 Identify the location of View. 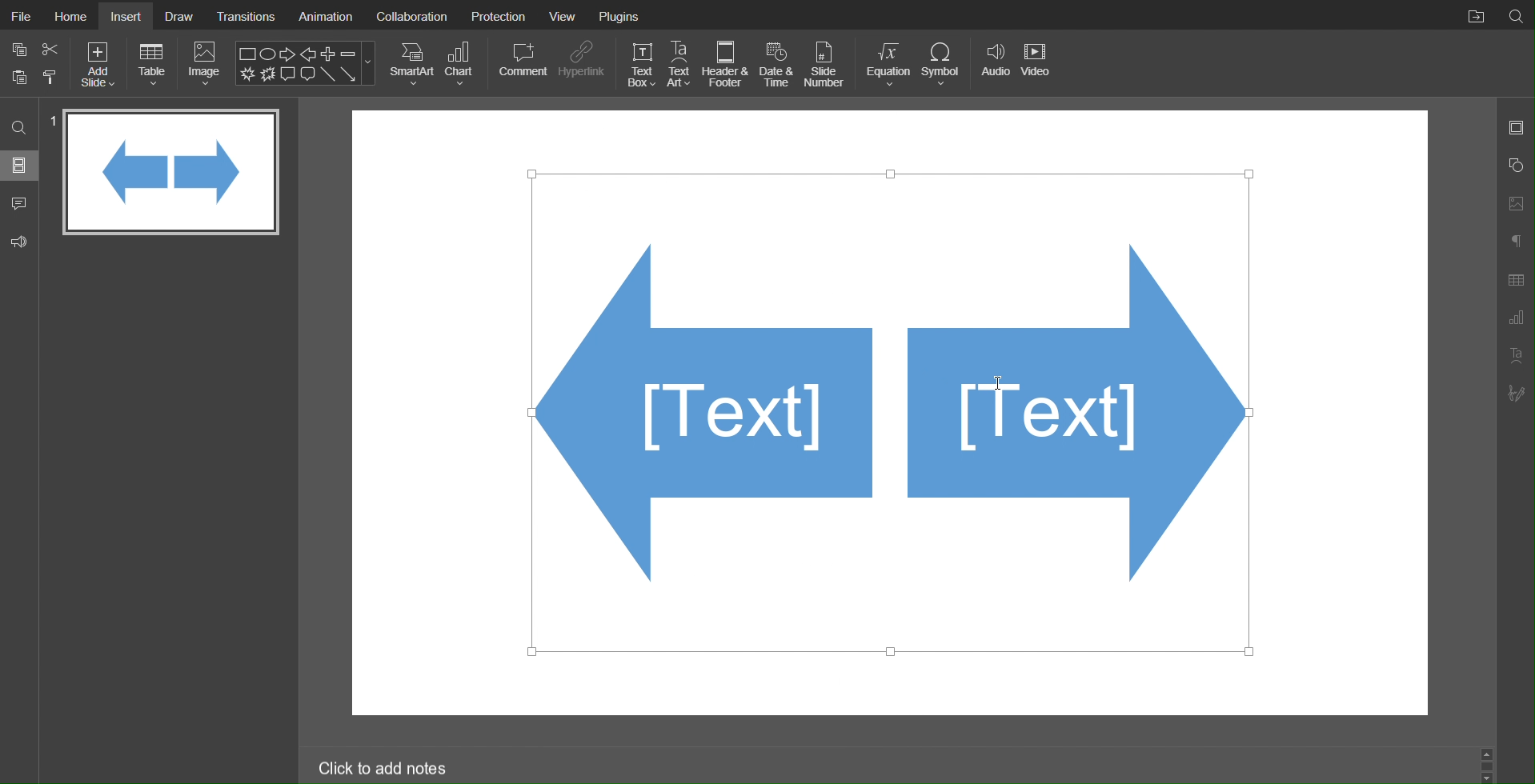
(566, 14).